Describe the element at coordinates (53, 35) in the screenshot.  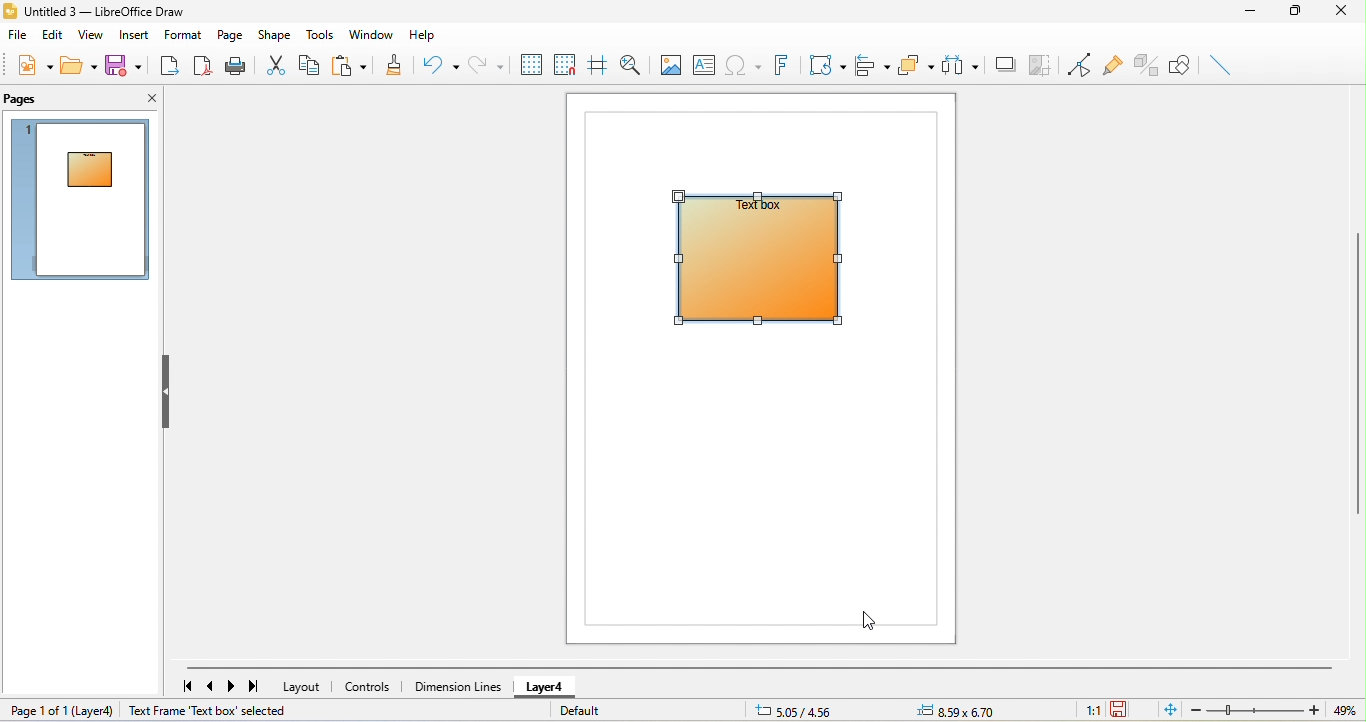
I see `edit` at that location.